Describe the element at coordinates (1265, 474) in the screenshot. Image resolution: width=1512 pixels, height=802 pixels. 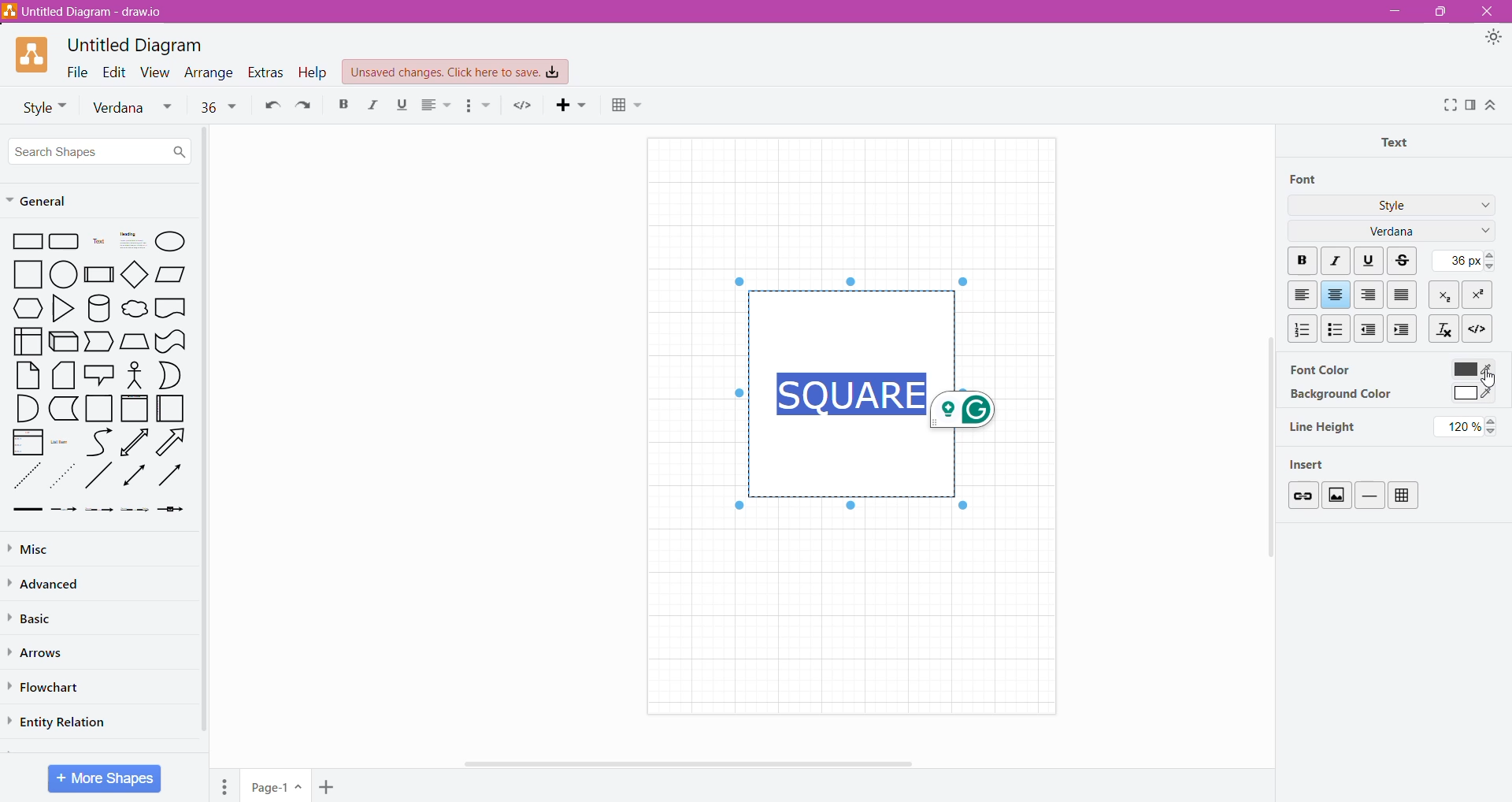
I see `Vertical Scroll Bar` at that location.